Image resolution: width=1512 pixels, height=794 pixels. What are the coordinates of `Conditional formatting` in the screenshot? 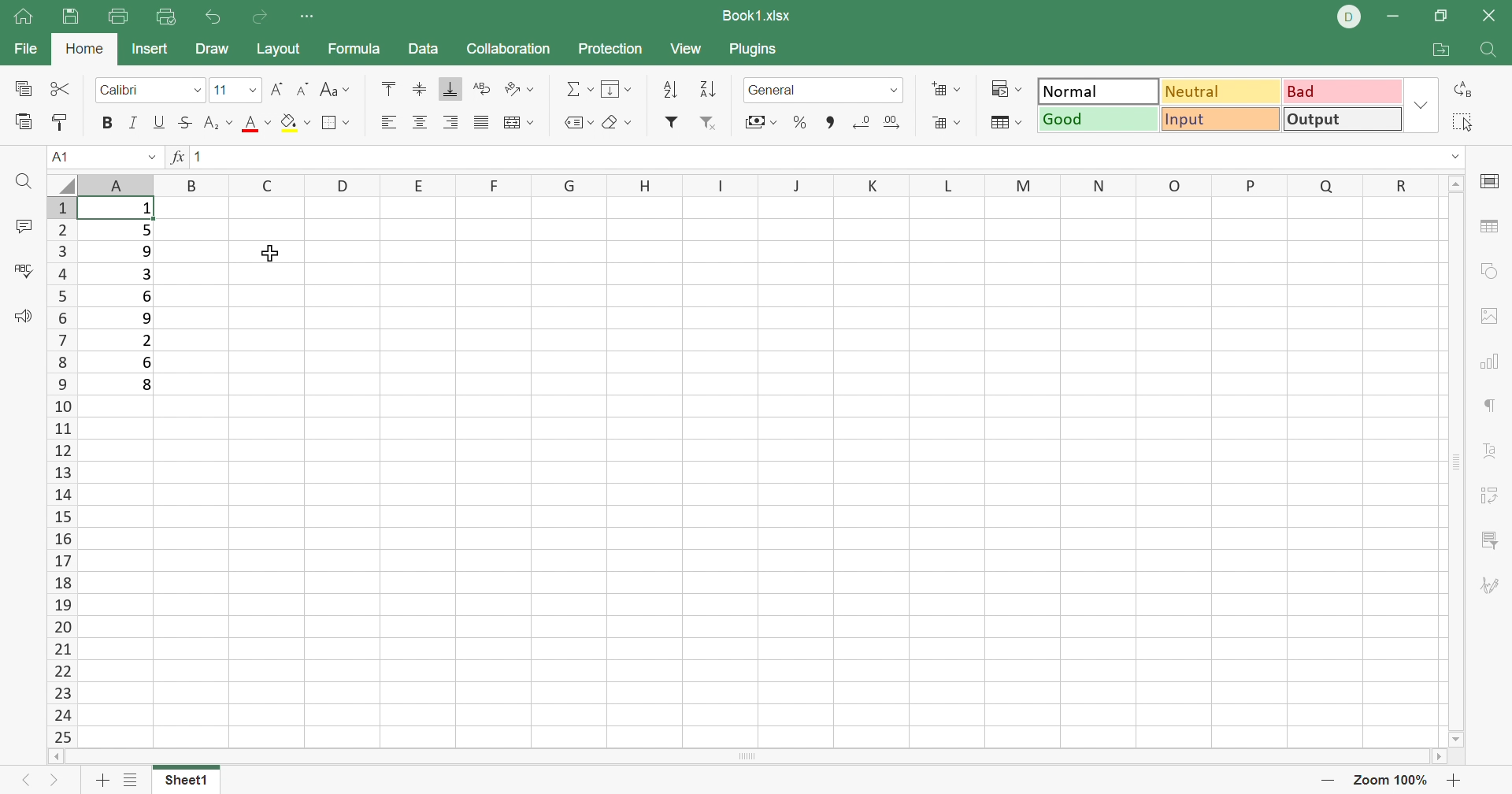 It's located at (1006, 88).